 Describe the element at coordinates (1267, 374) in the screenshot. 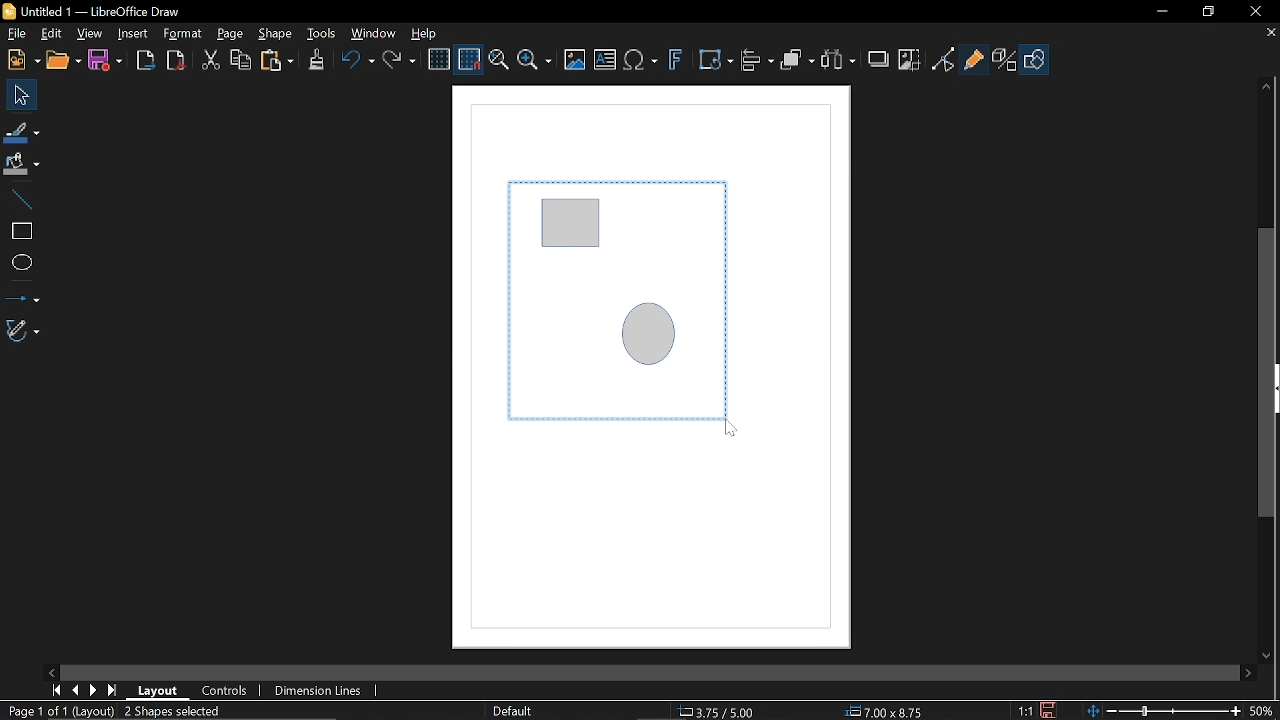

I see `Vertical scrollbar` at that location.